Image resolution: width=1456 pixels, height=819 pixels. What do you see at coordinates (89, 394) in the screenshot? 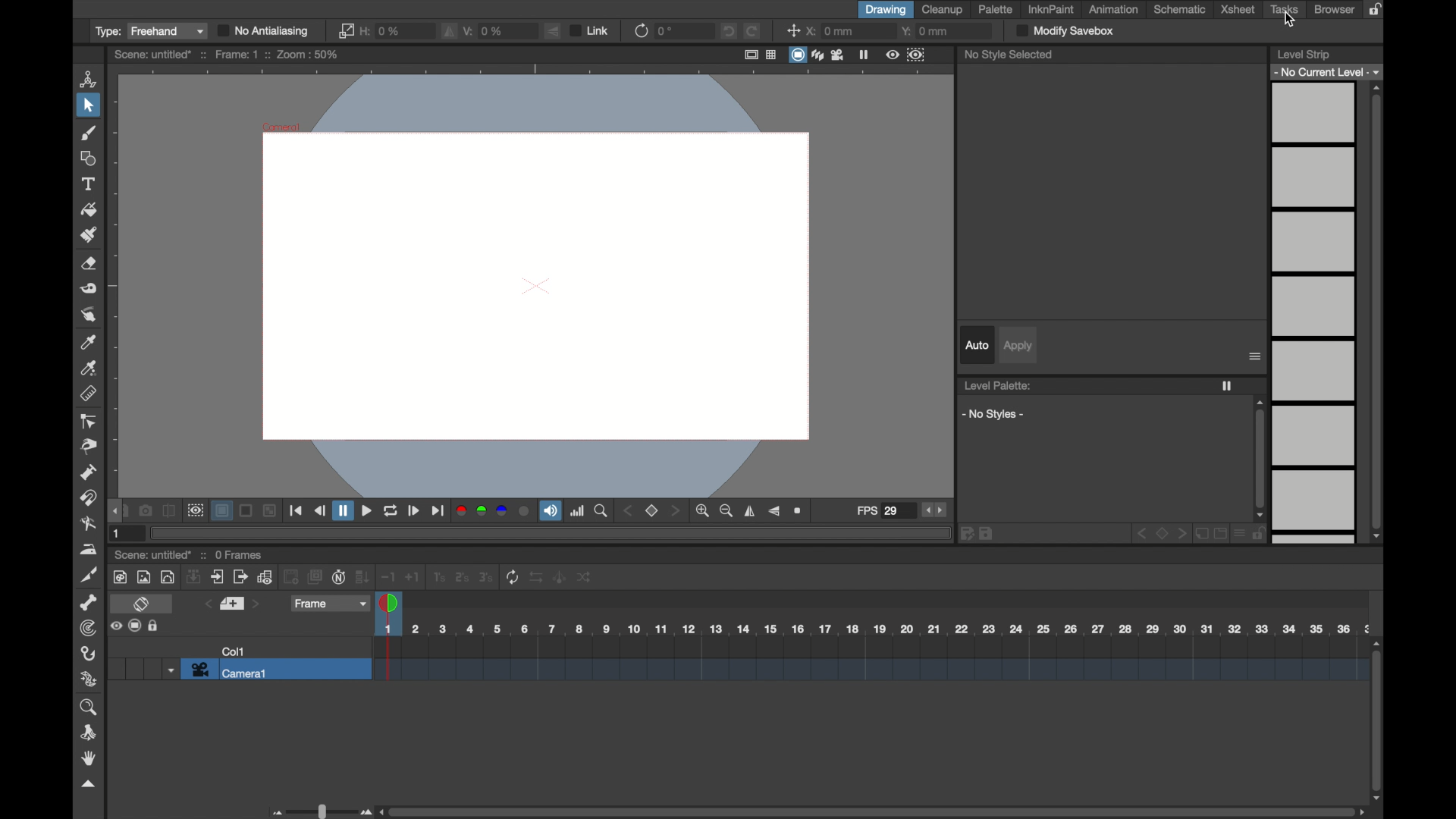
I see `ruler tool` at bounding box center [89, 394].